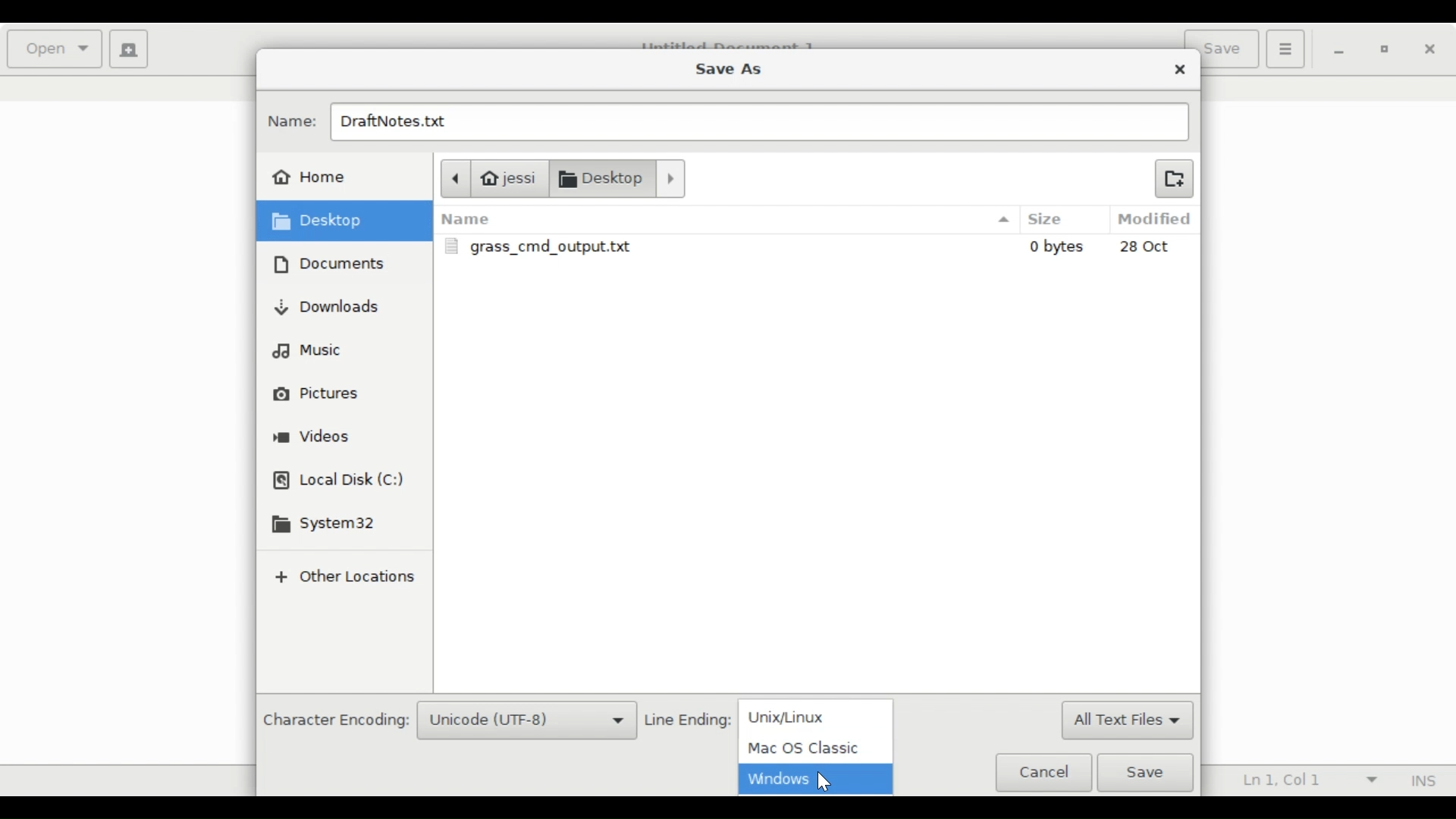 The width and height of the screenshot is (1456, 819). What do you see at coordinates (492, 177) in the screenshot?
I see `jessi` at bounding box center [492, 177].